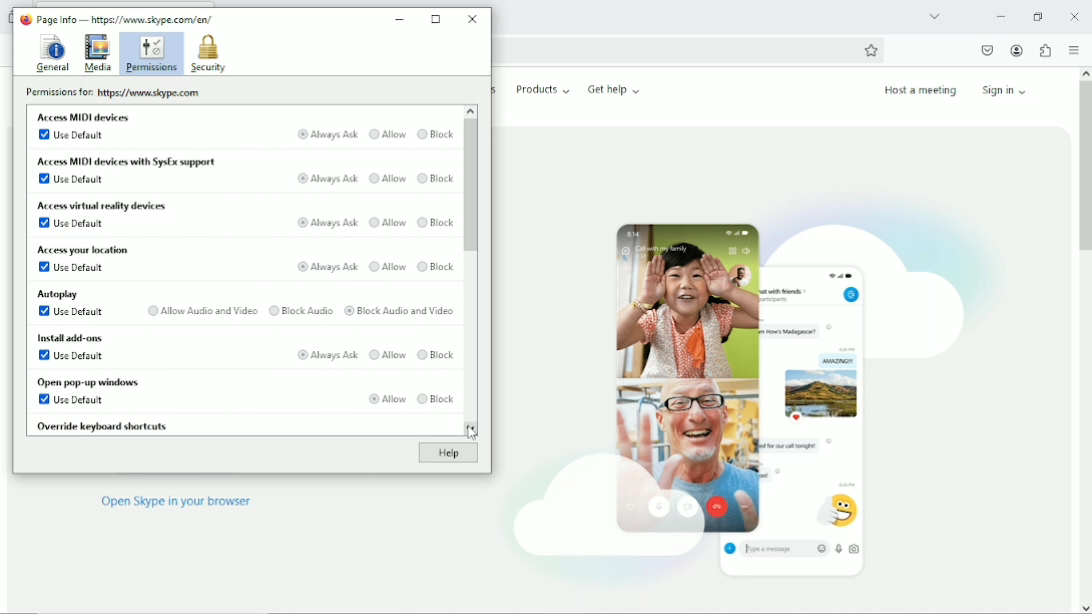 The image size is (1092, 614). I want to click on Get help, so click(614, 89).